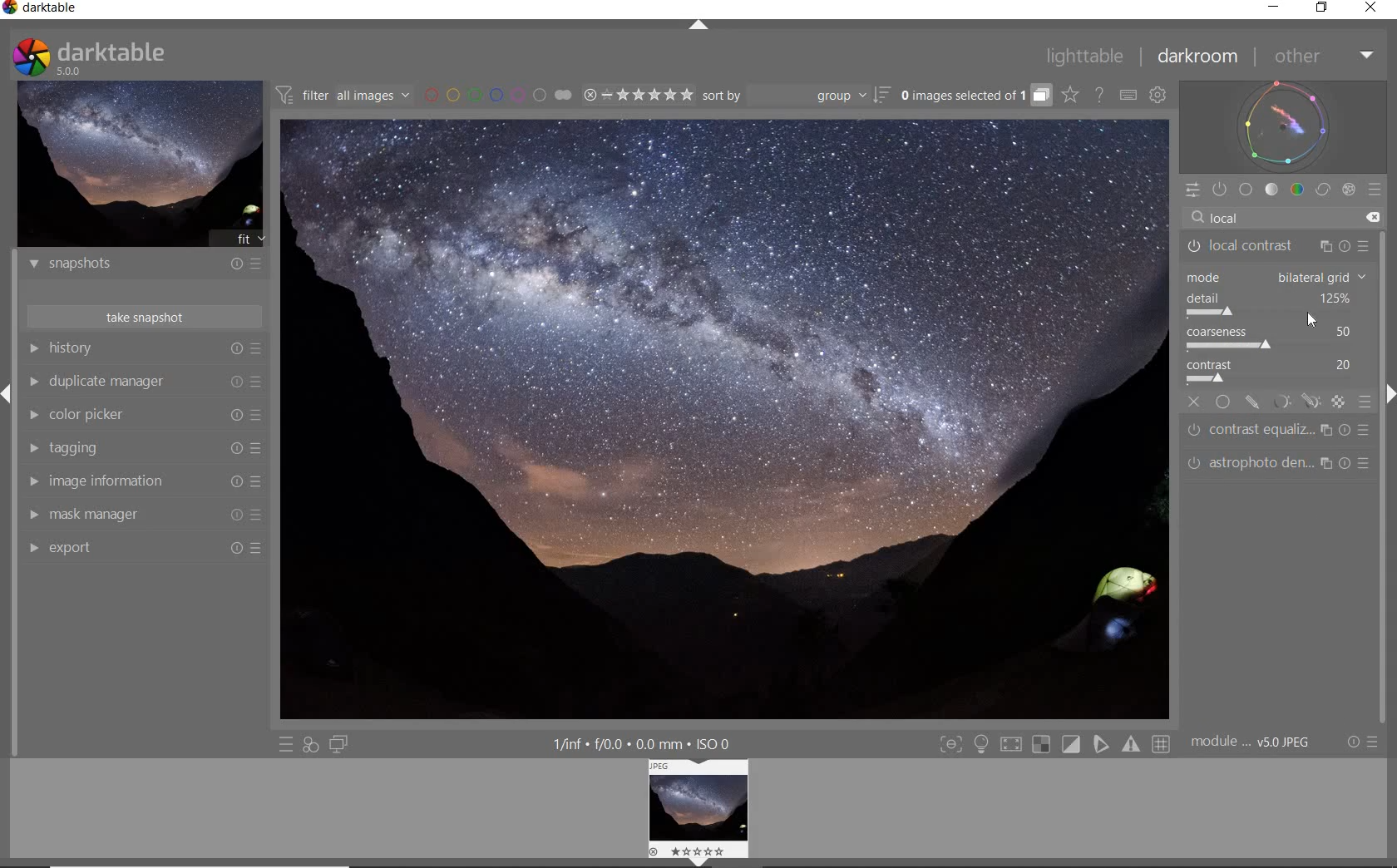 This screenshot has height=868, width=1397. Describe the element at coordinates (1327, 466) in the screenshot. I see `multiple instance actions` at that location.